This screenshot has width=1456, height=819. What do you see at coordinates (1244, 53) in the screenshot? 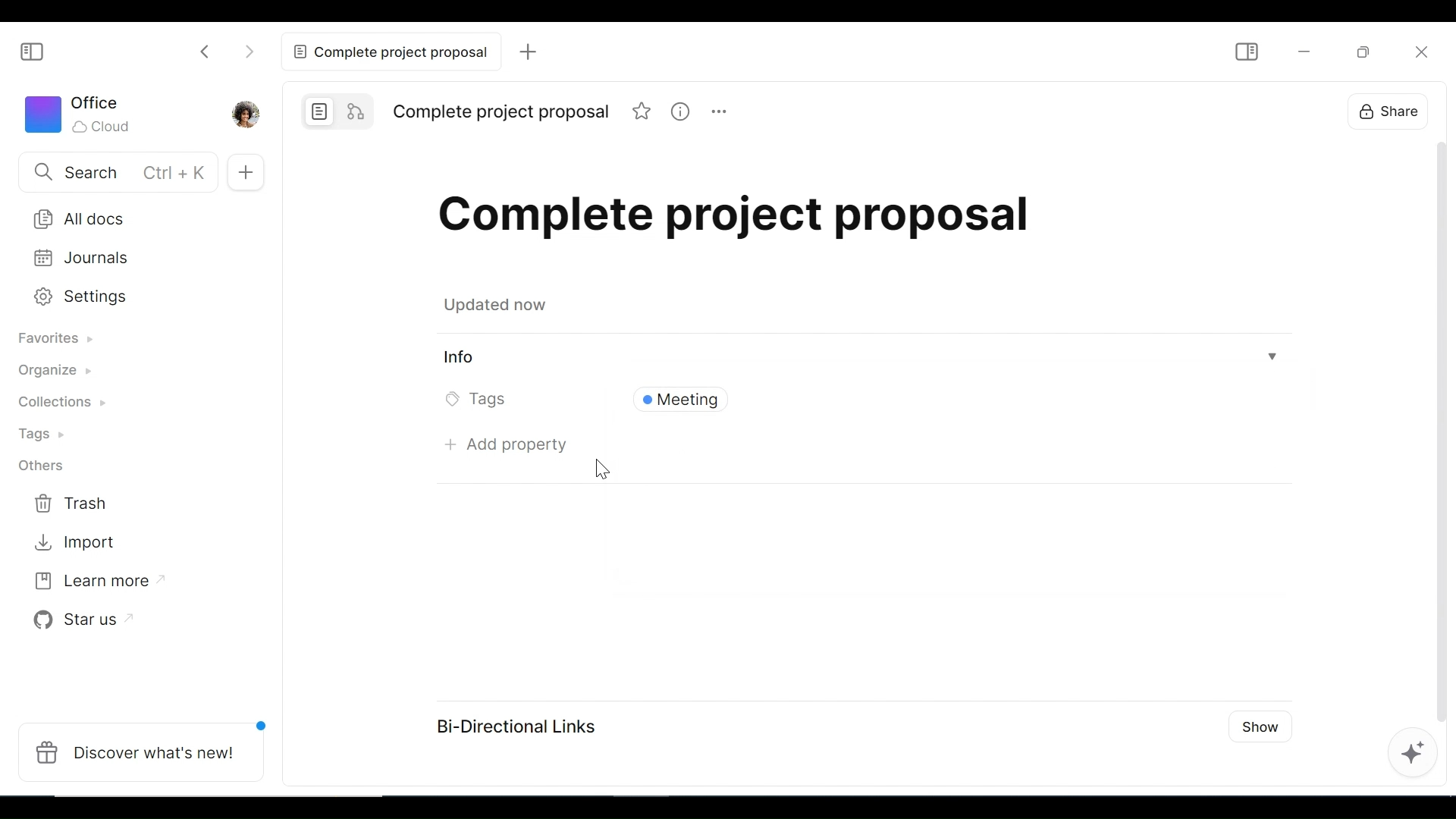
I see `Show/Hide Sidebar` at bounding box center [1244, 53].